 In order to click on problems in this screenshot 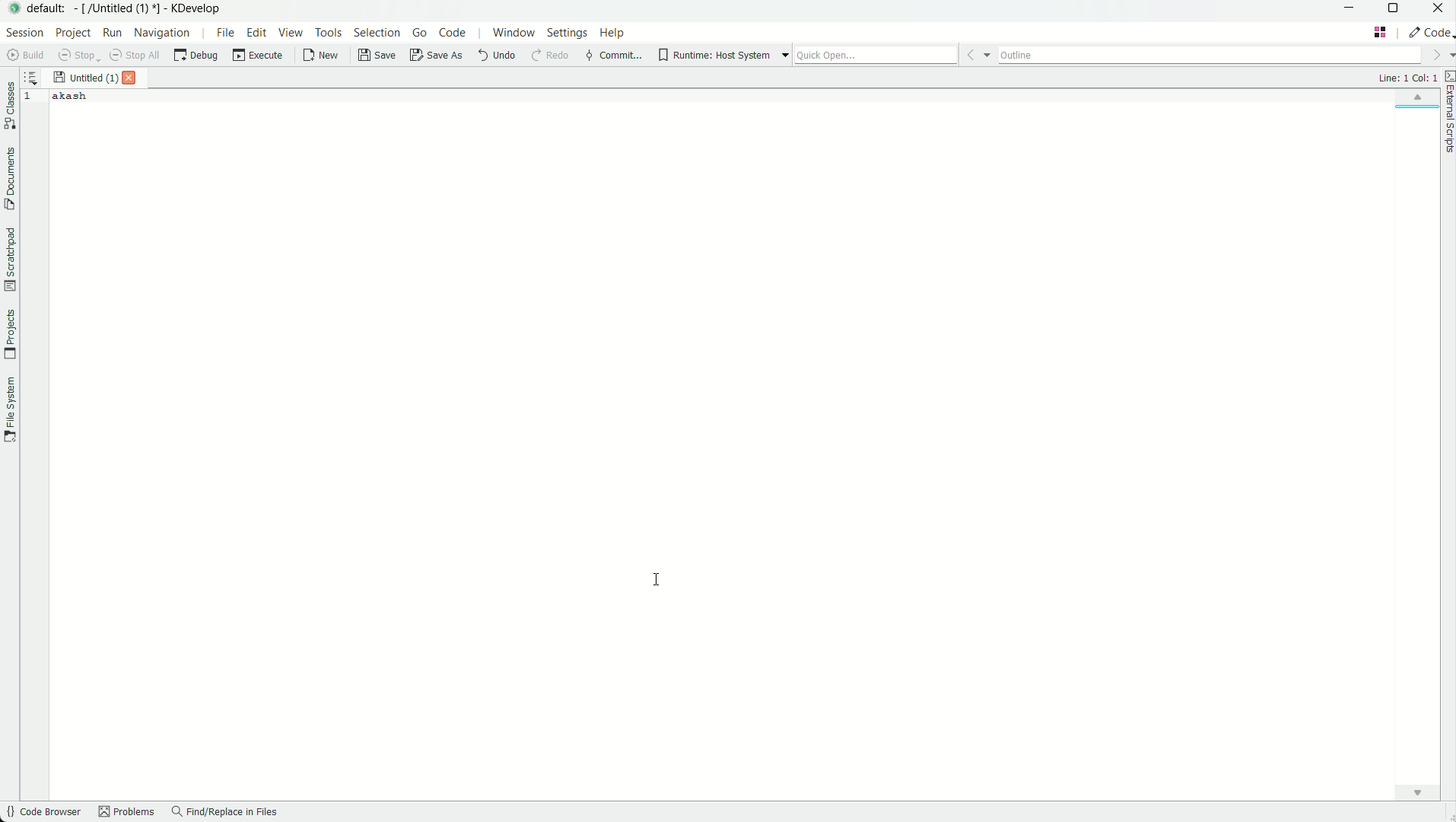, I will do `click(127, 813)`.